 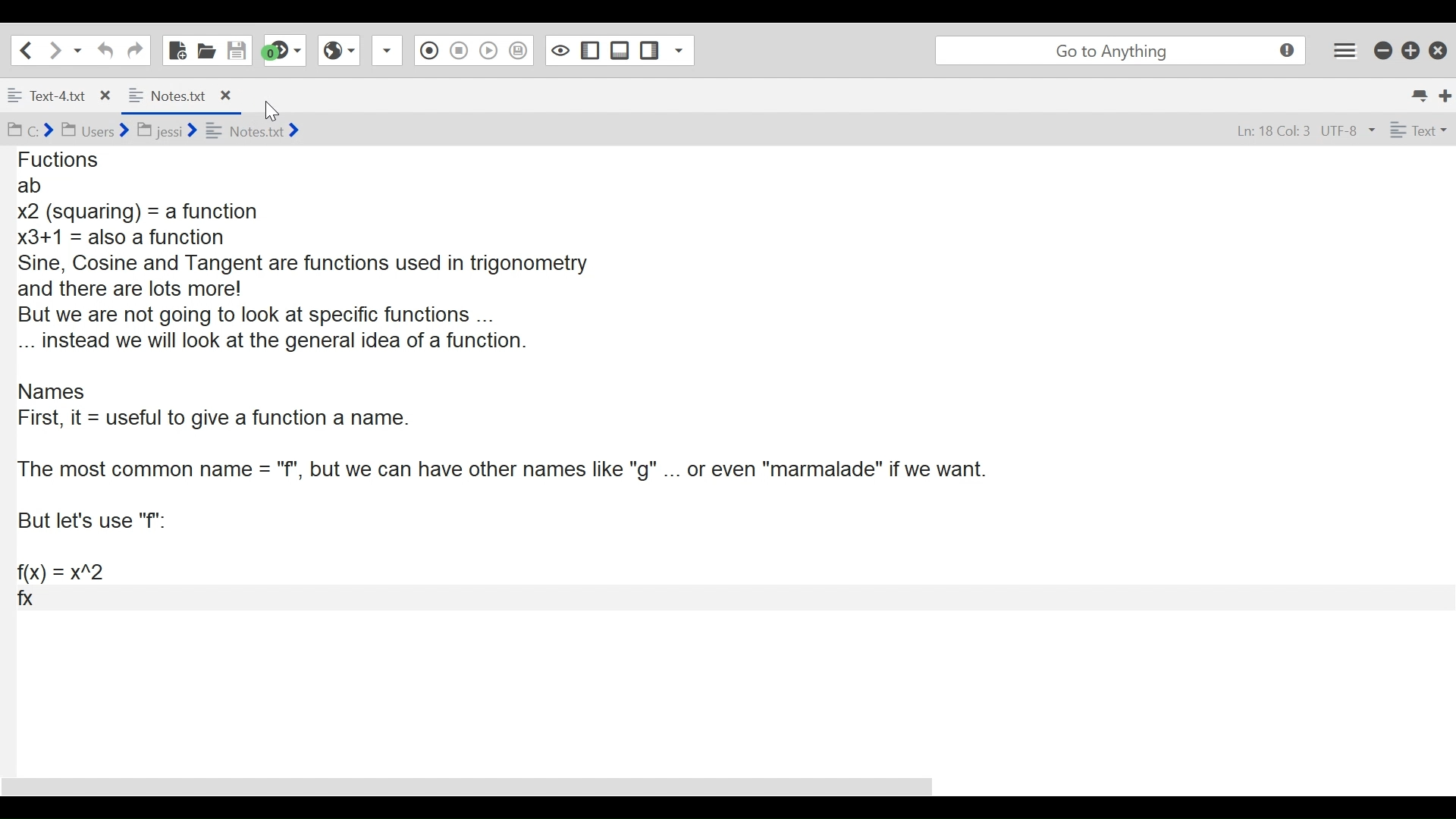 What do you see at coordinates (108, 93) in the screenshot?
I see `close` at bounding box center [108, 93].